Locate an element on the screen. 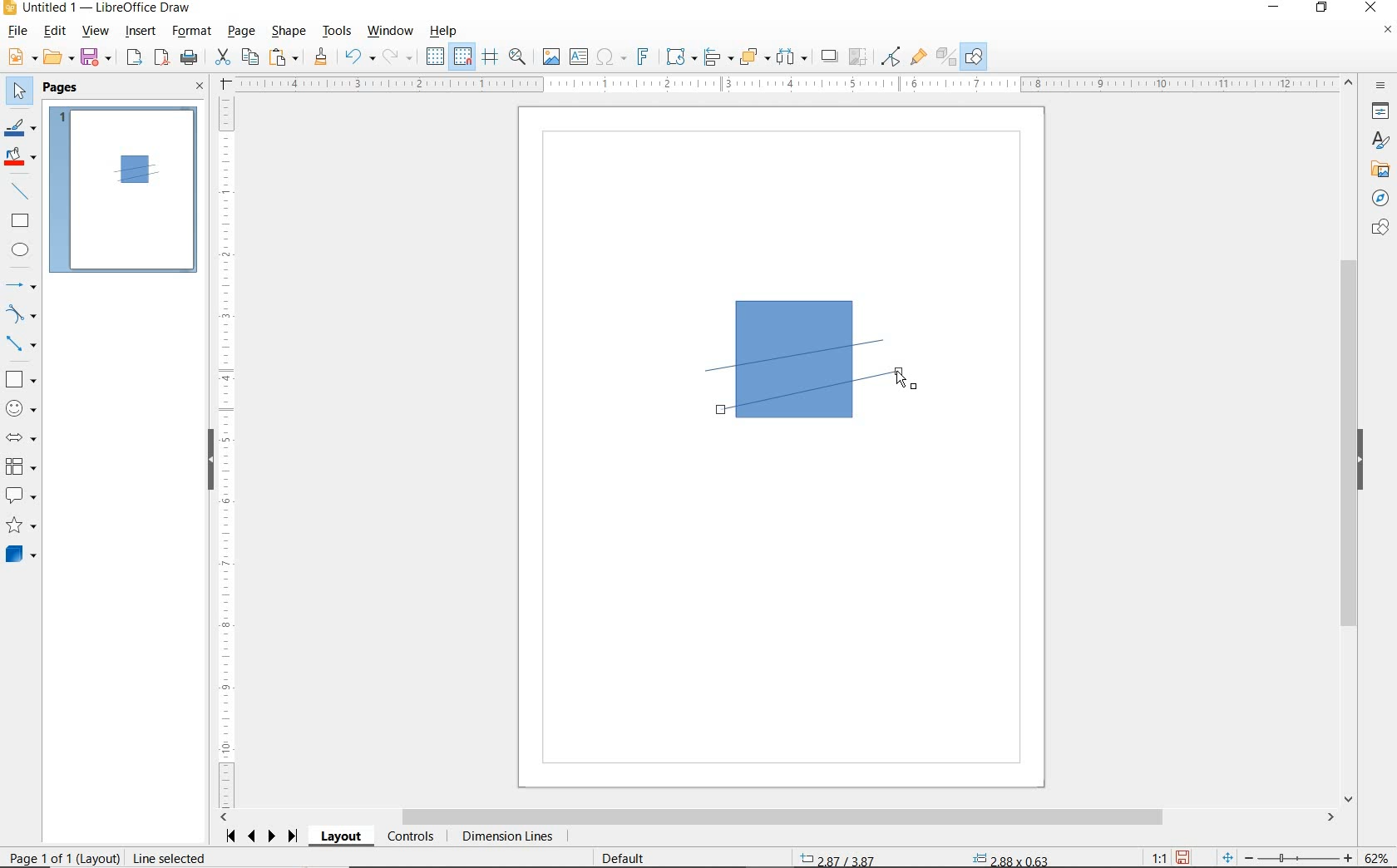 This screenshot has height=868, width=1397. SELECT is located at coordinates (17, 94).